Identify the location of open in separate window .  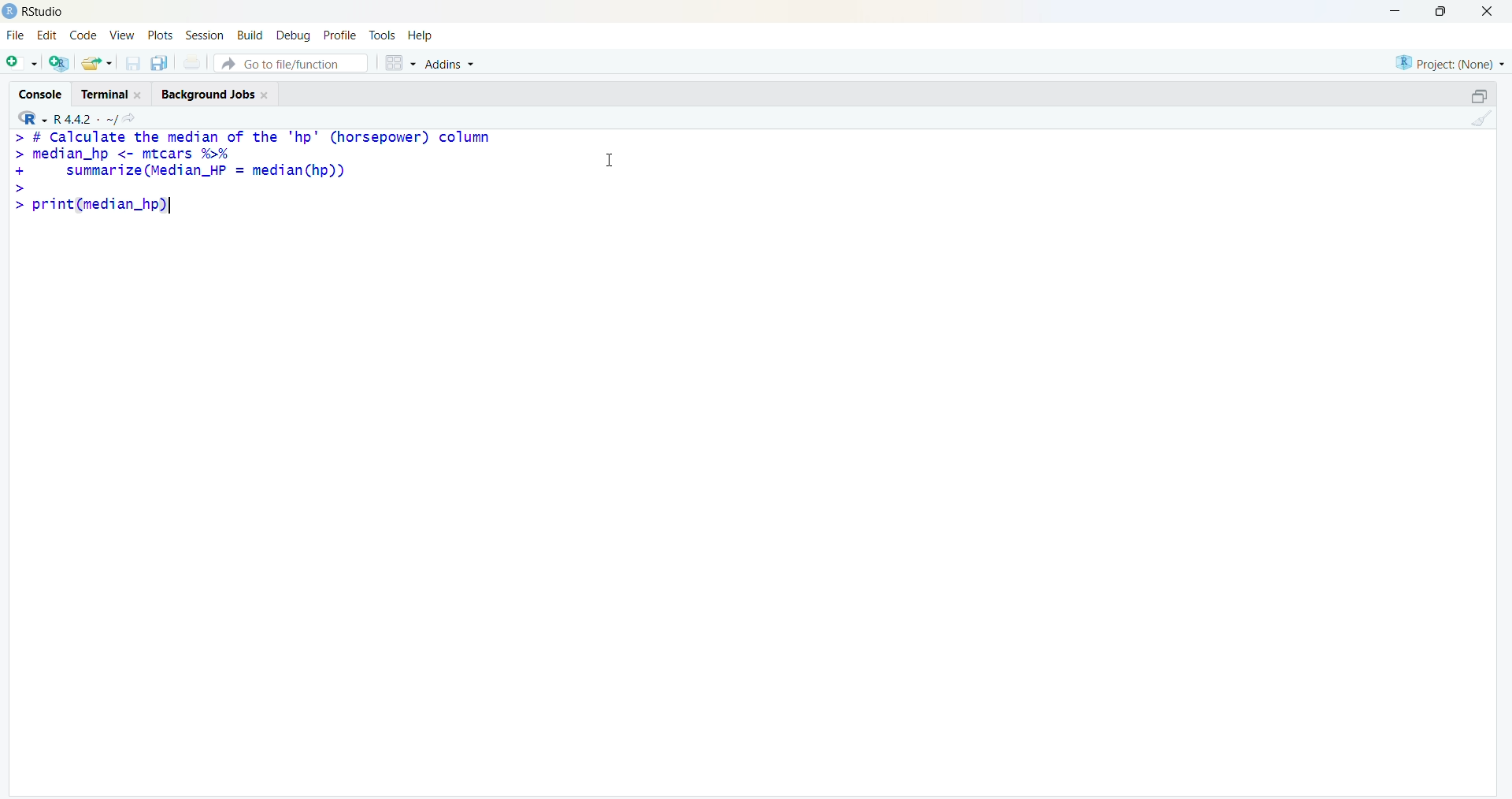
(1480, 95).